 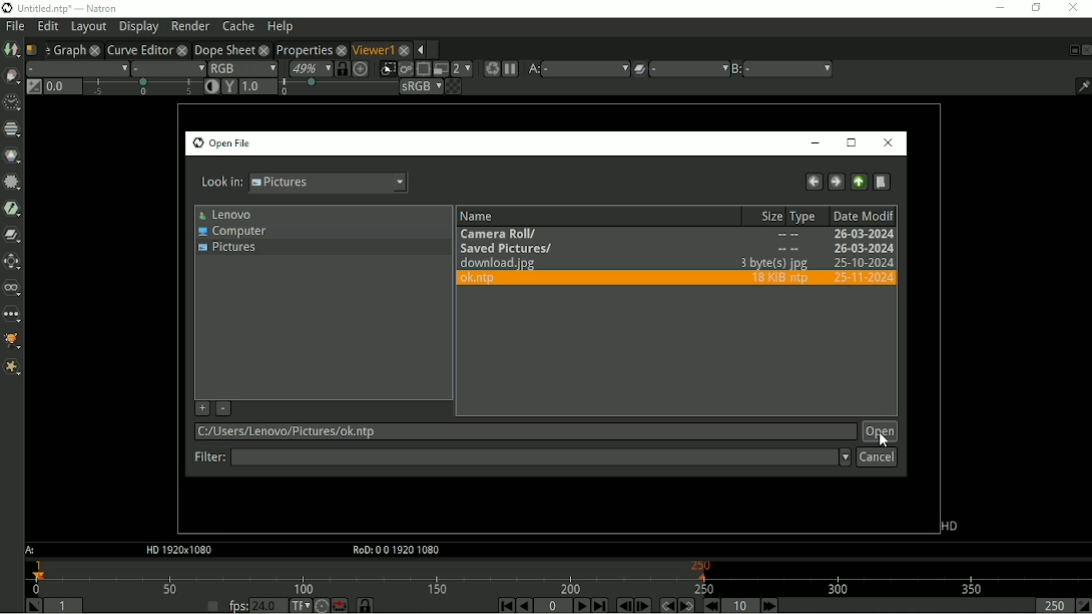 I want to click on Go back, so click(x=813, y=182).